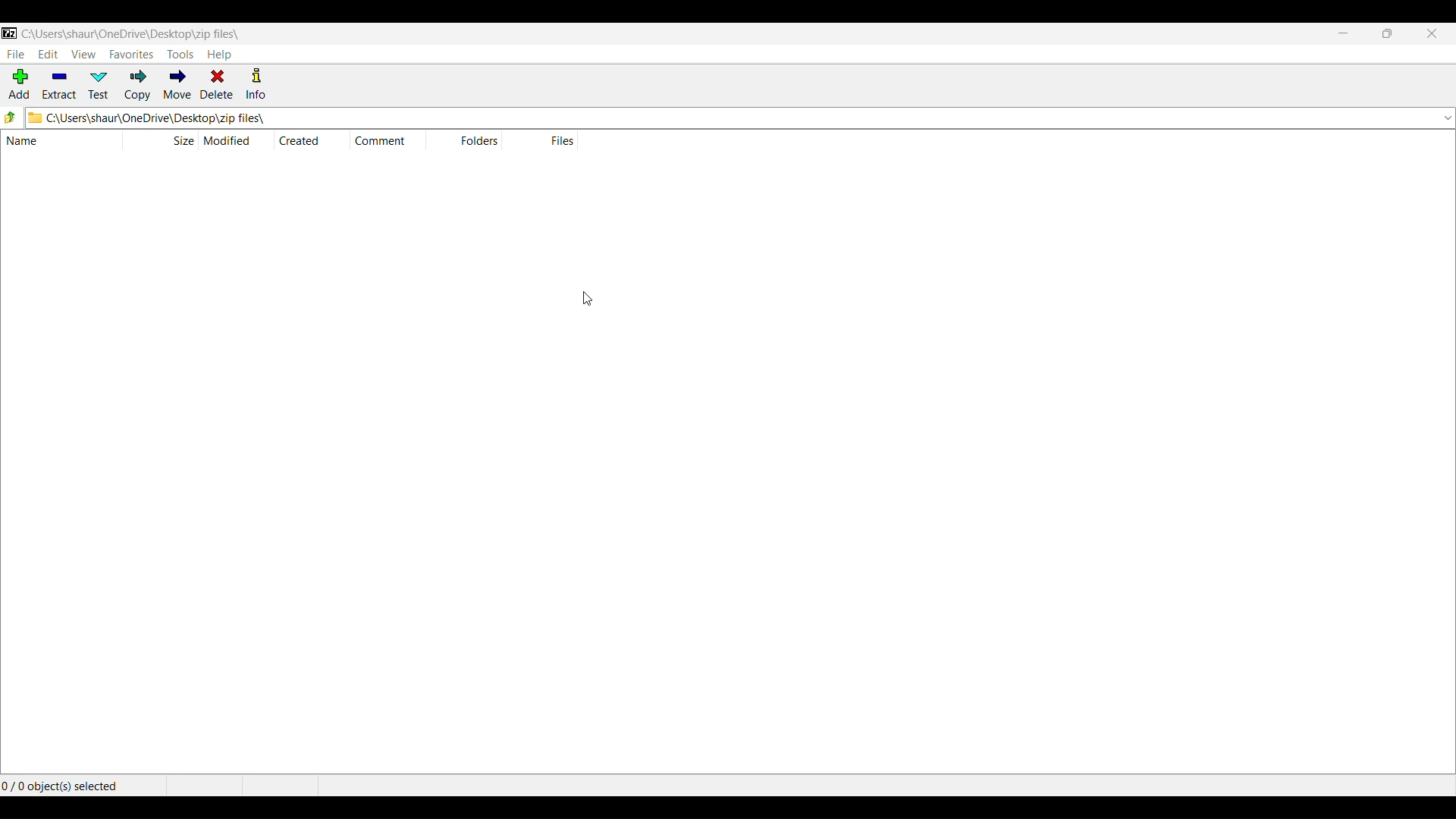  What do you see at coordinates (101, 85) in the screenshot?
I see `TEST` at bounding box center [101, 85].